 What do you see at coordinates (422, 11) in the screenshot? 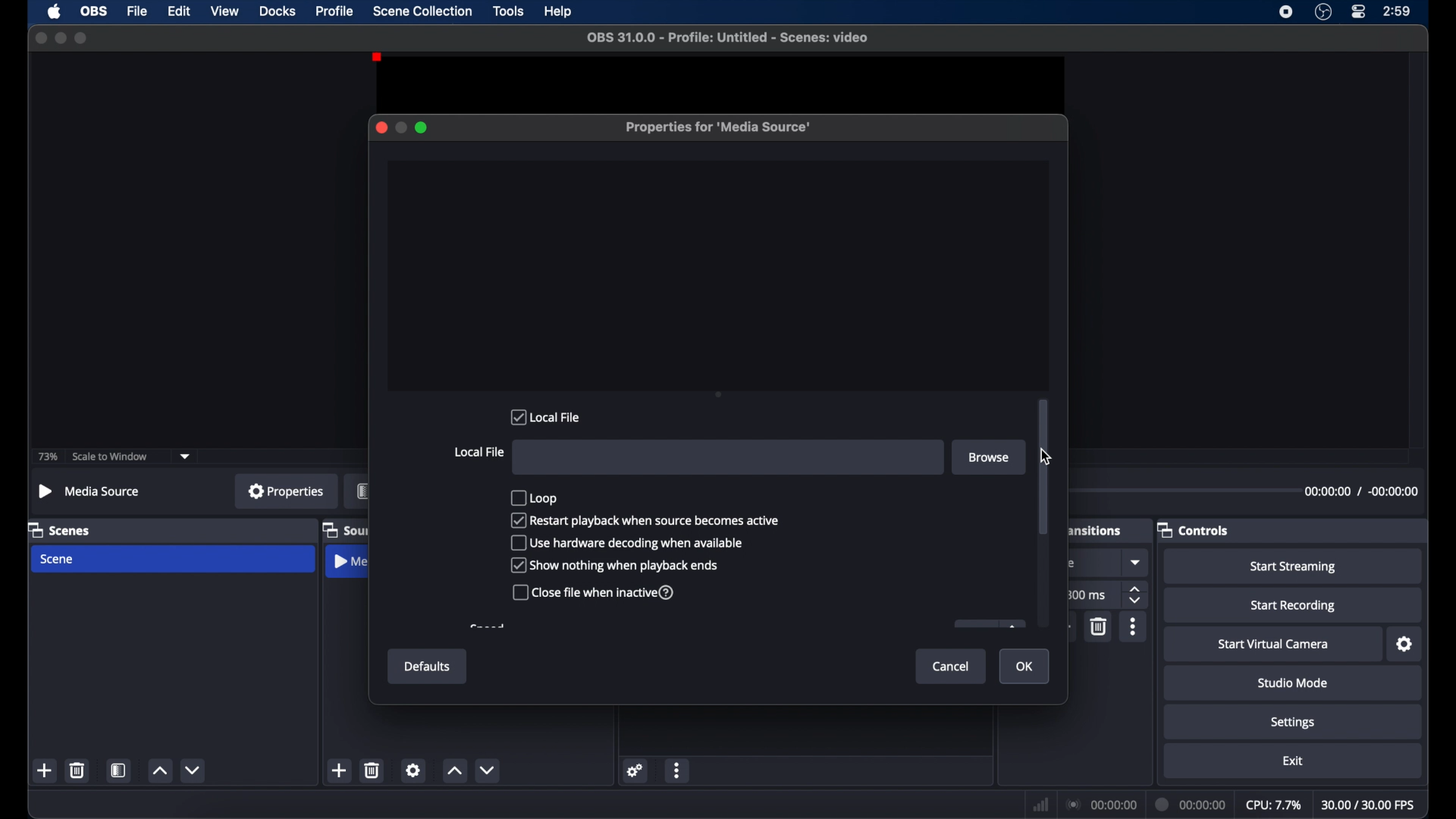
I see `scene collection` at bounding box center [422, 11].